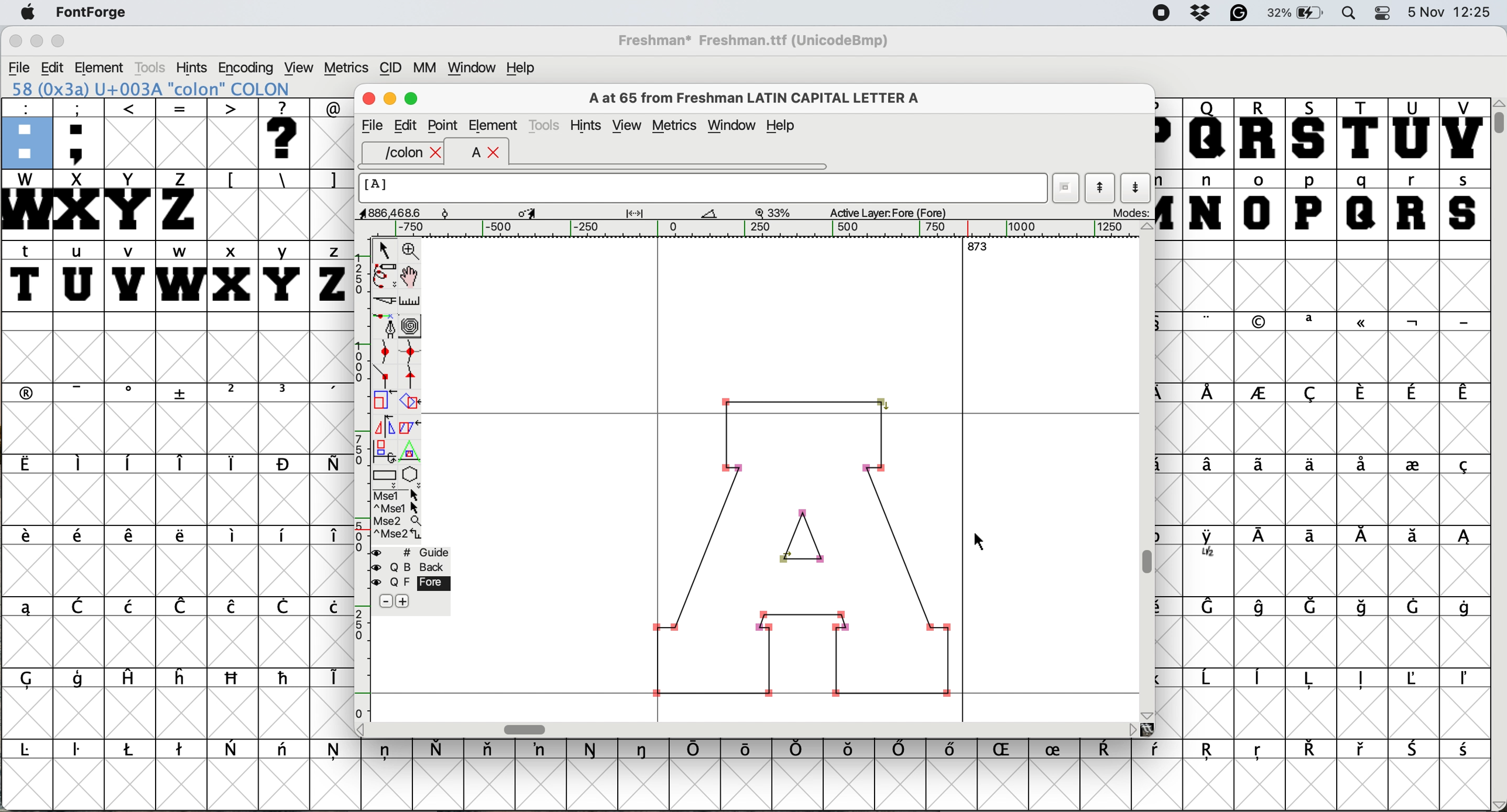 The height and width of the screenshot is (812, 1507). I want to click on q, so click(1363, 205).